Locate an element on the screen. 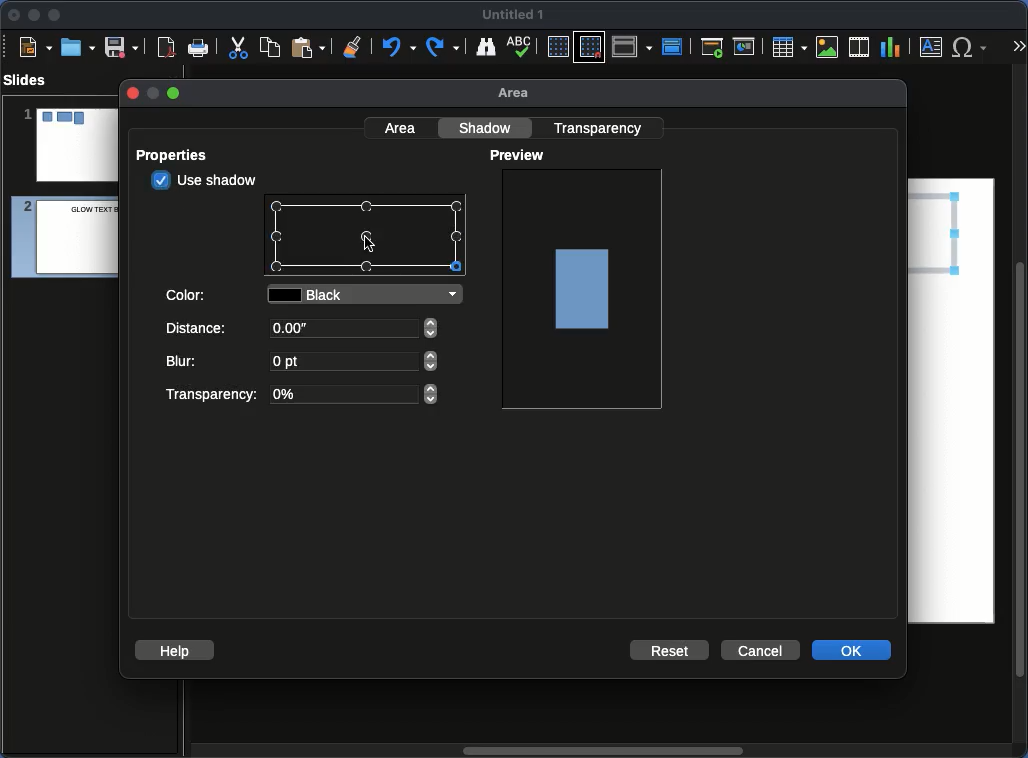 The width and height of the screenshot is (1028, 758). Snap to grid is located at coordinates (592, 46).